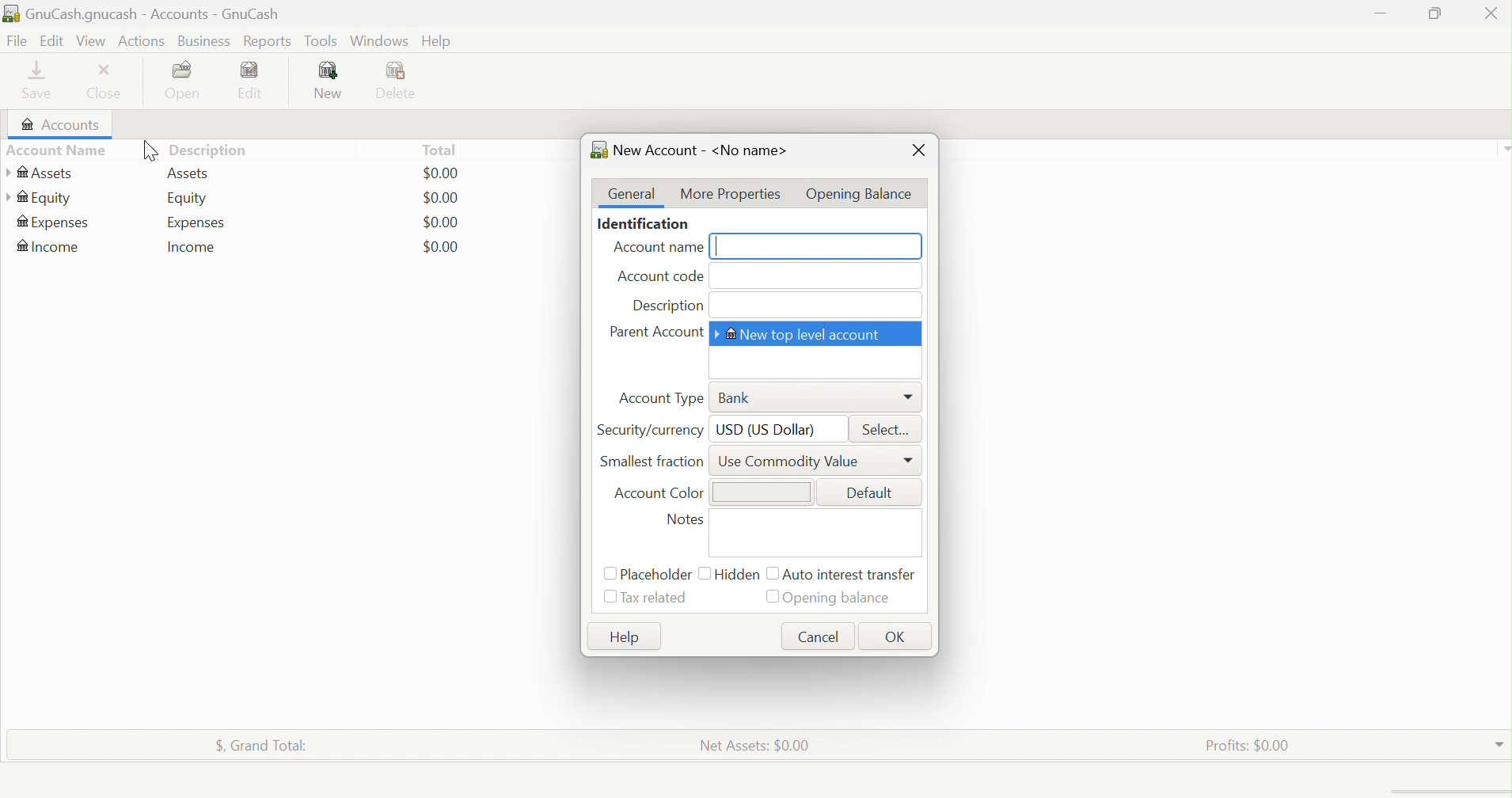  I want to click on Open, so click(186, 81).